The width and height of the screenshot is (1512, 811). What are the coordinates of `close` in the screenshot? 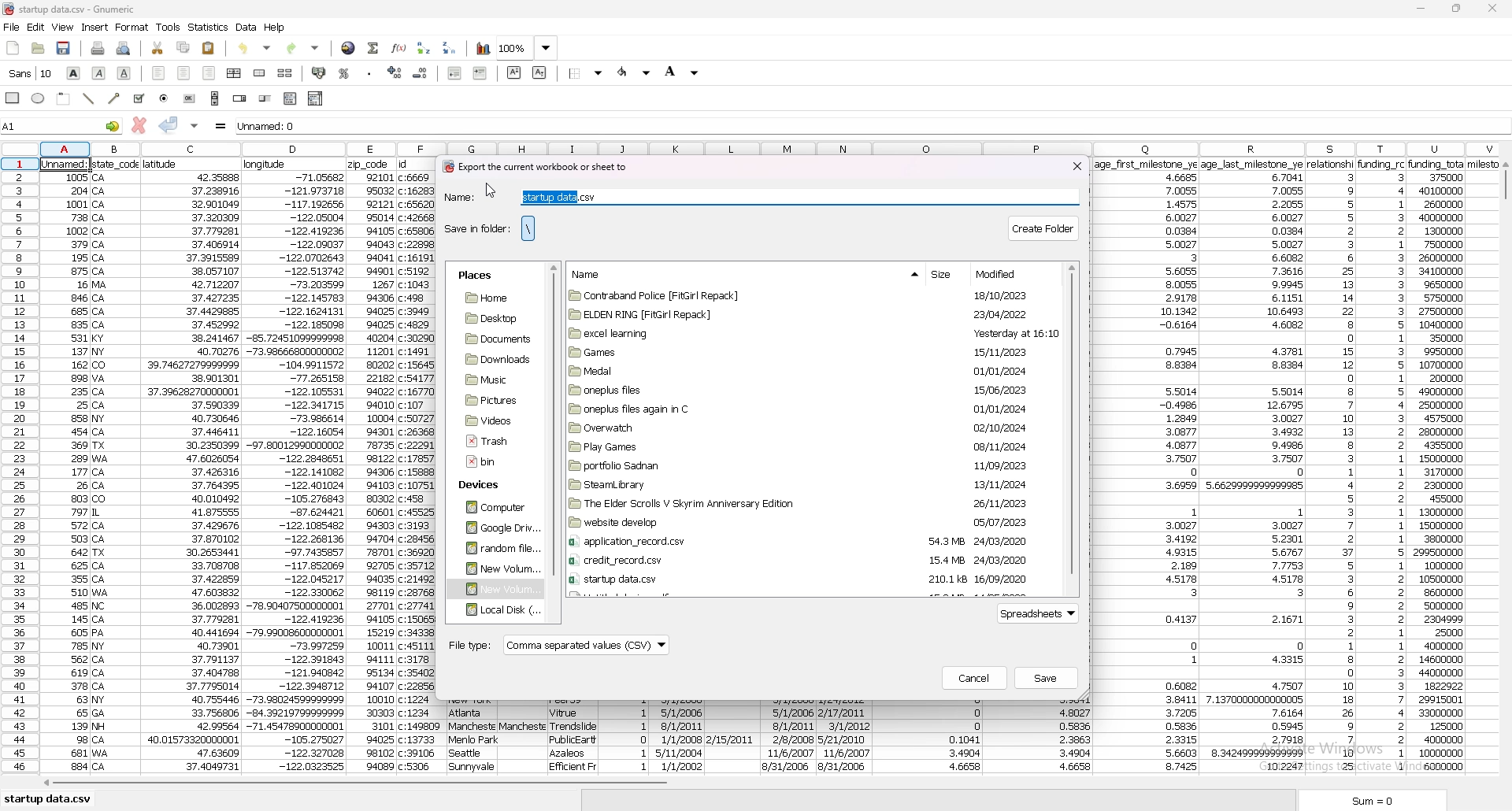 It's located at (1492, 9).